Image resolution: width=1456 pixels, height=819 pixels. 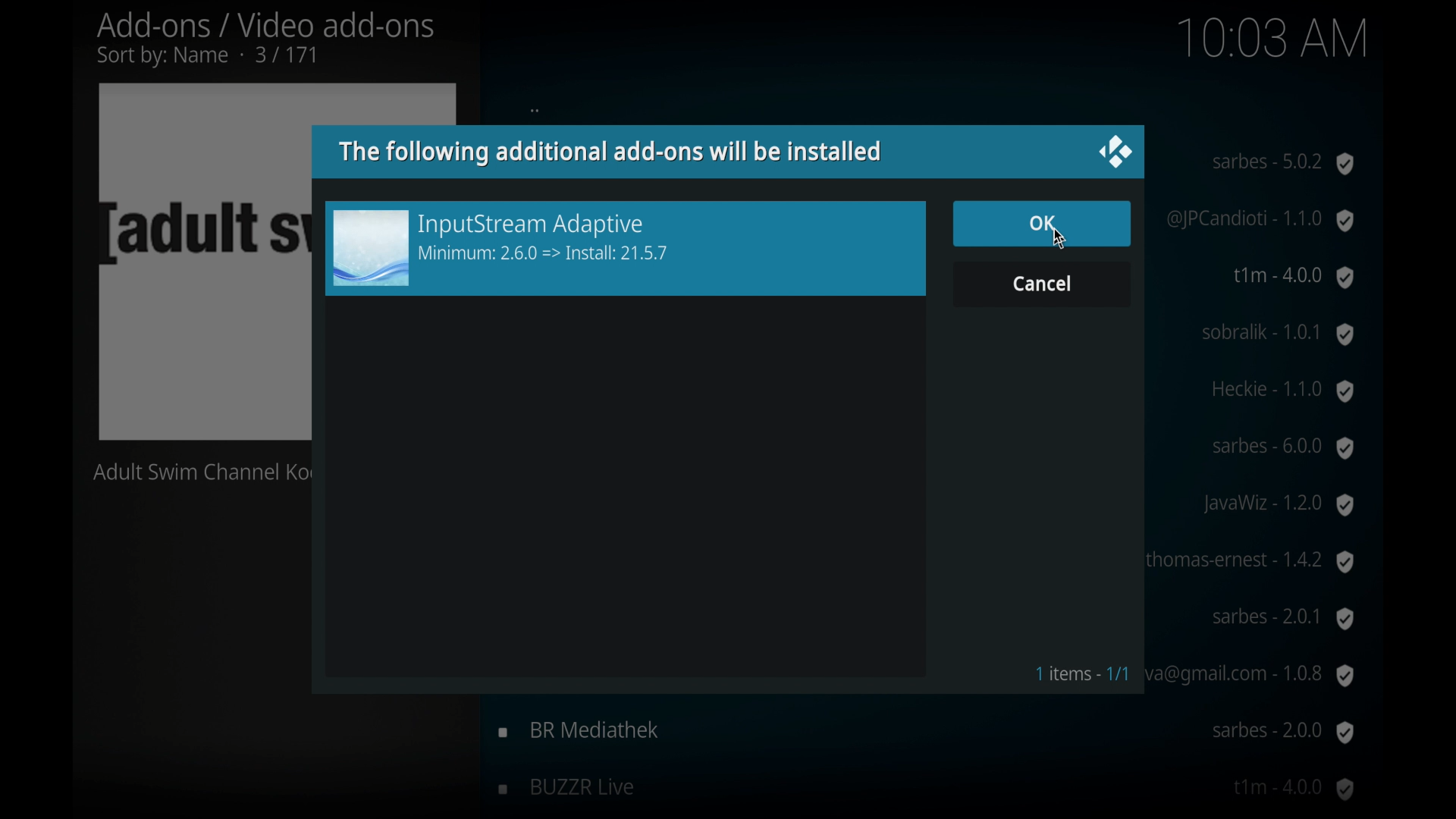 I want to click on Thomas-ernest-1.4.2, so click(x=1238, y=559).